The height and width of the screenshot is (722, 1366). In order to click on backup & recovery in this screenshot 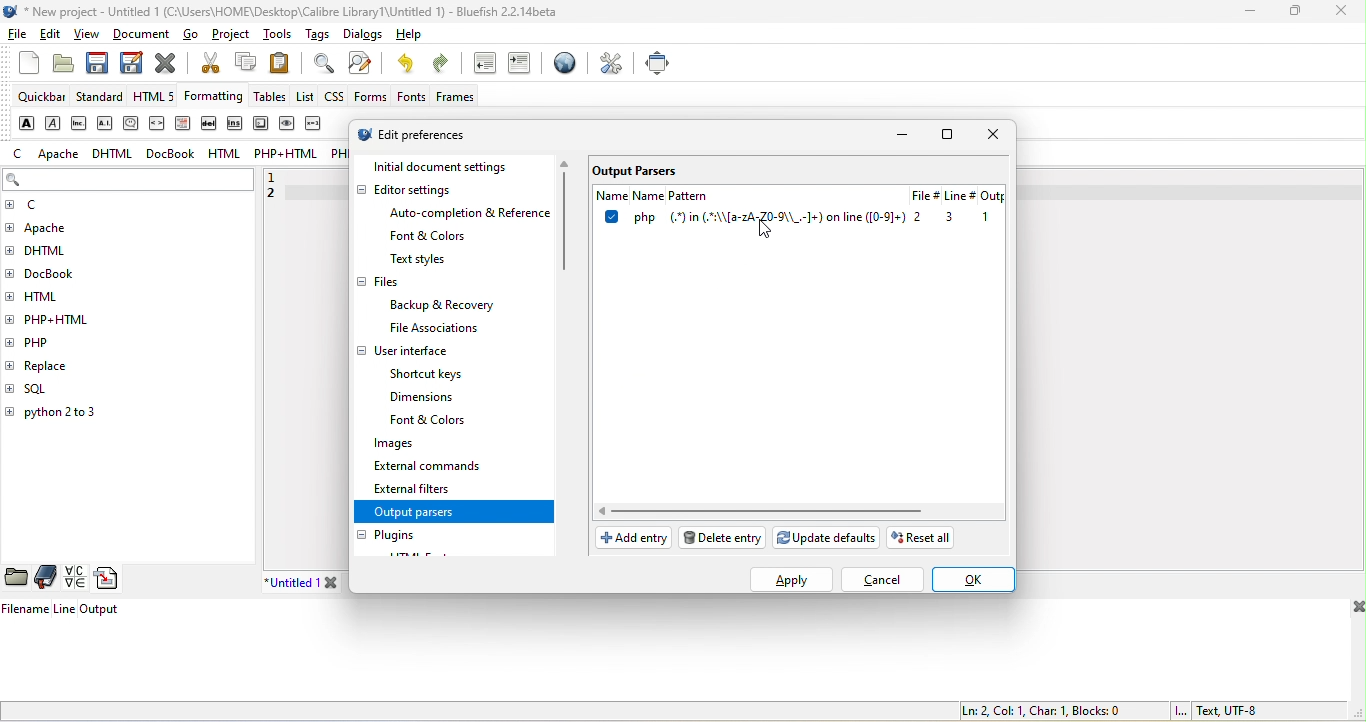, I will do `click(448, 305)`.